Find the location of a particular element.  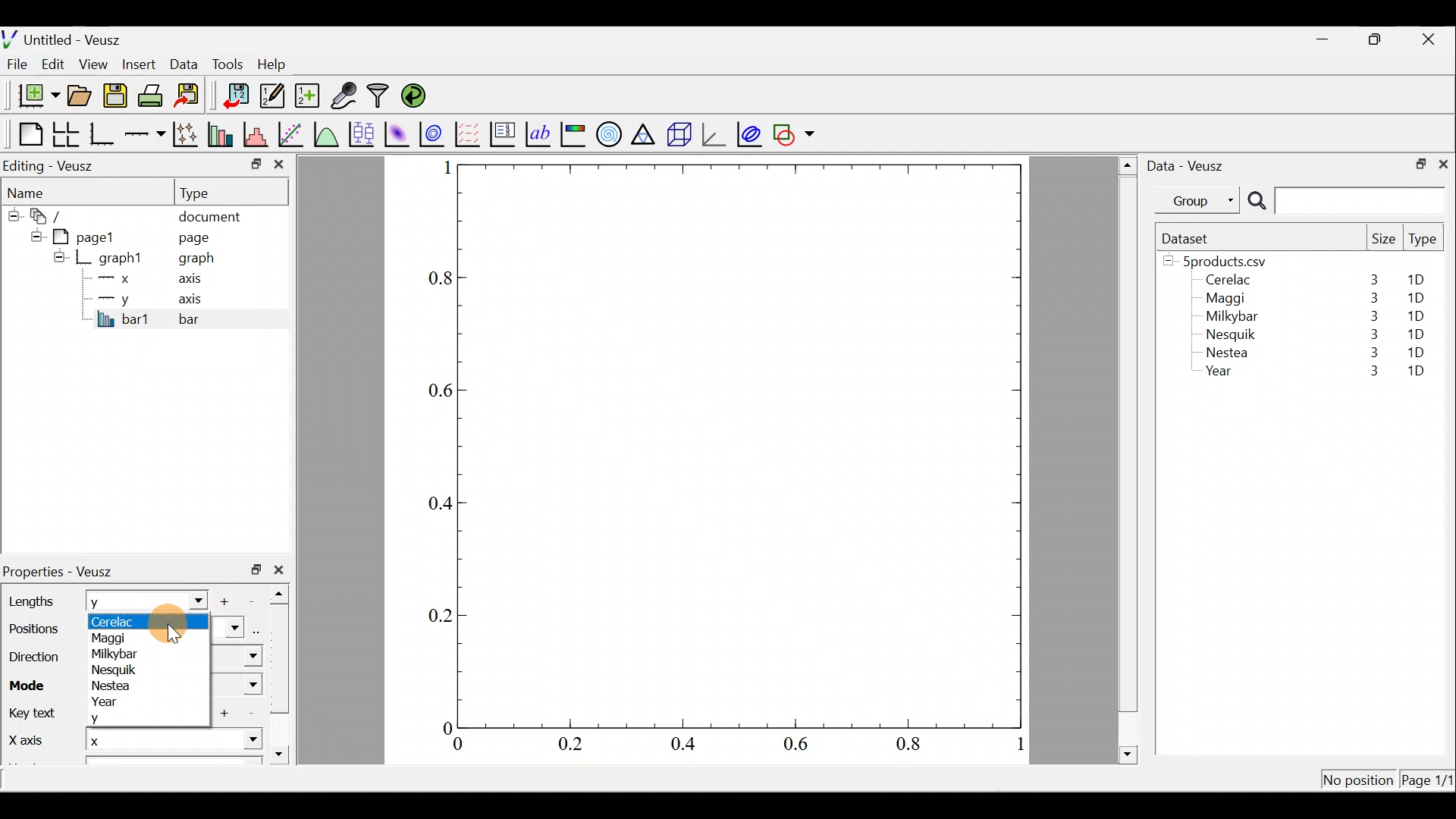

Add an axis to the plot is located at coordinates (148, 134).